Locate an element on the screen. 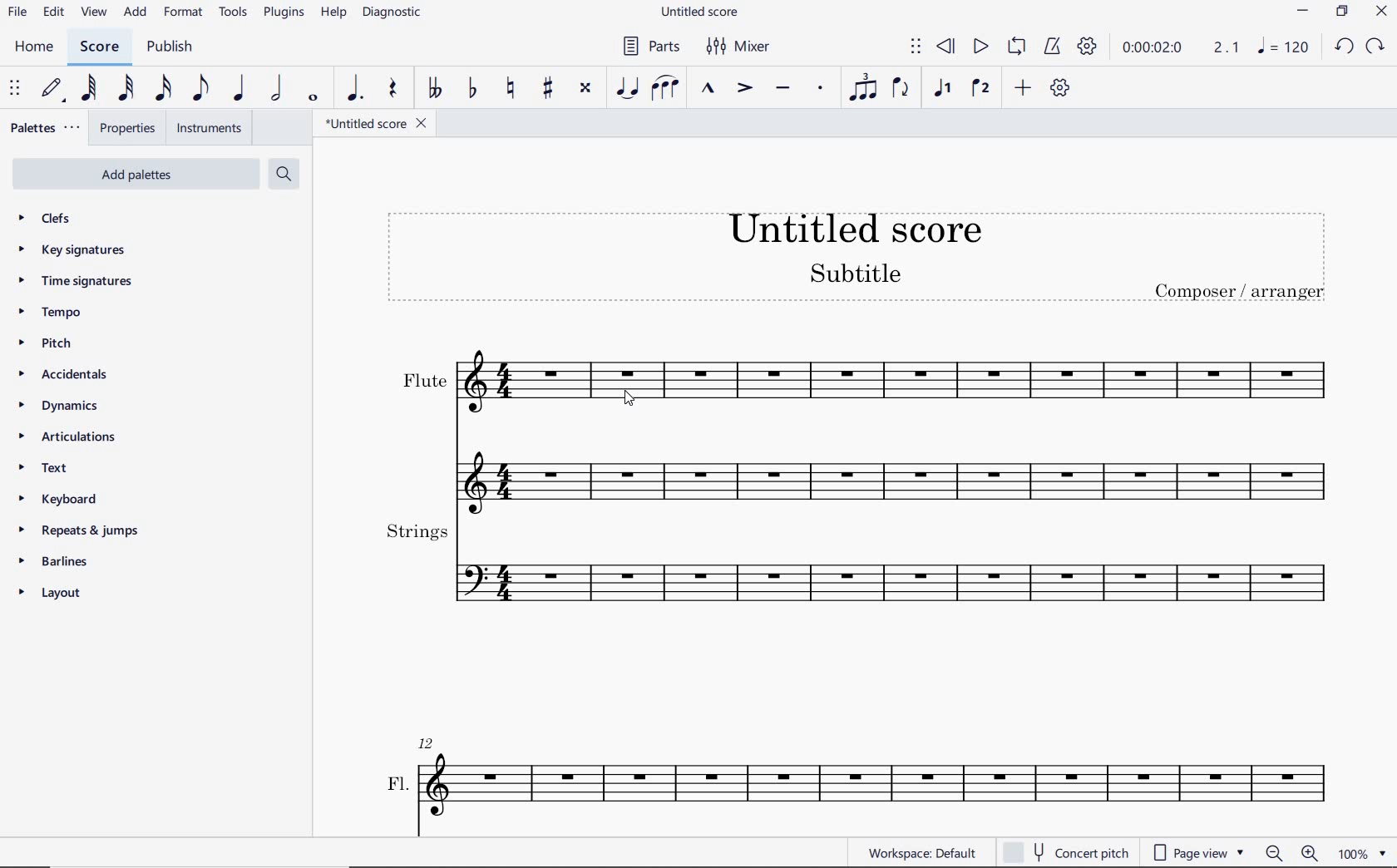 This screenshot has height=868, width=1397. FLIP DIRECTION is located at coordinates (901, 90).